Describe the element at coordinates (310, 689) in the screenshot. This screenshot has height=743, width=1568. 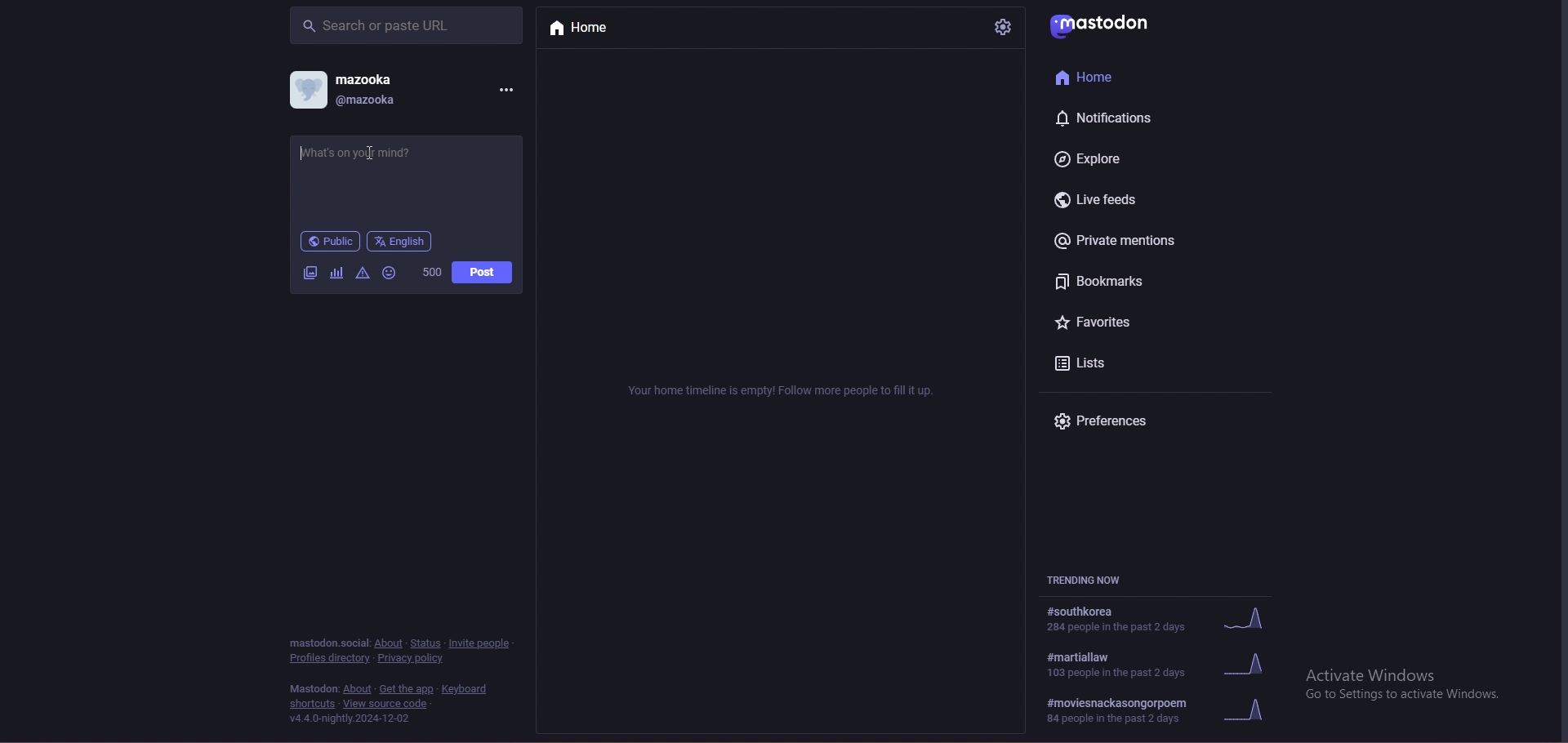
I see `mastodon` at that location.